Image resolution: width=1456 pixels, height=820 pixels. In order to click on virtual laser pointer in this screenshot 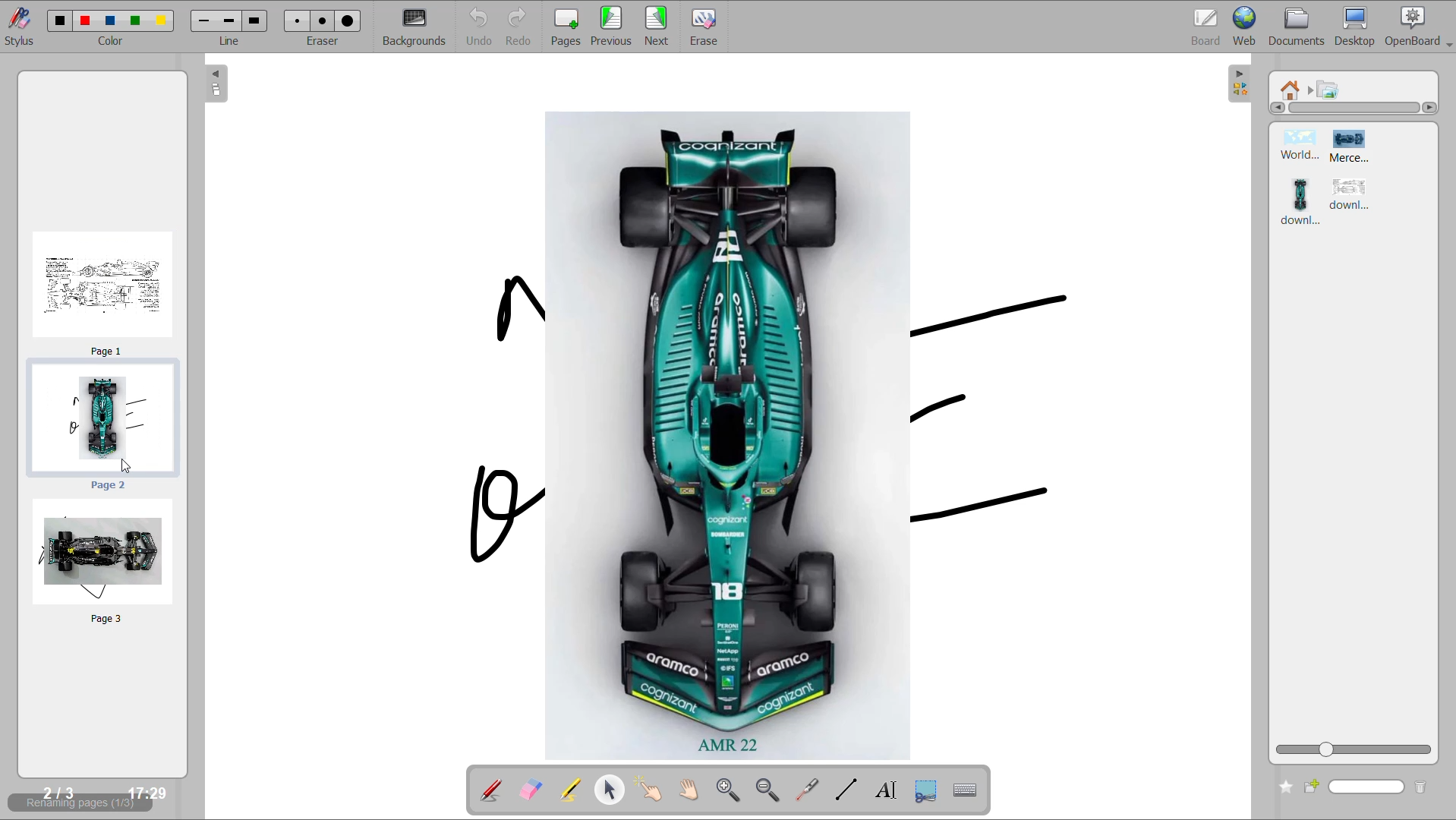, I will do `click(807, 789)`.